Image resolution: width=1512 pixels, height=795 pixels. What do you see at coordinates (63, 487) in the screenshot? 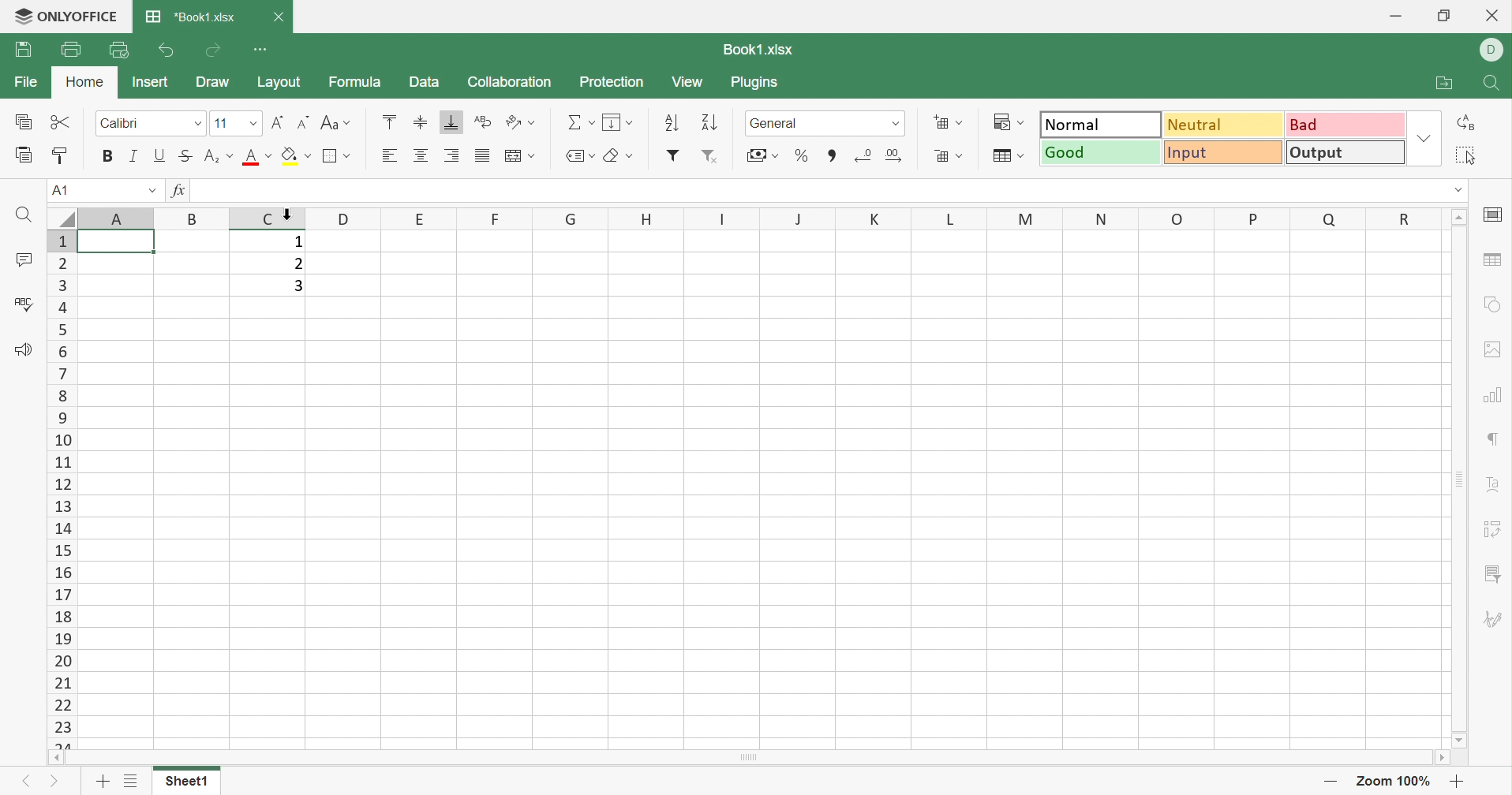
I see `Row Numbers` at bounding box center [63, 487].